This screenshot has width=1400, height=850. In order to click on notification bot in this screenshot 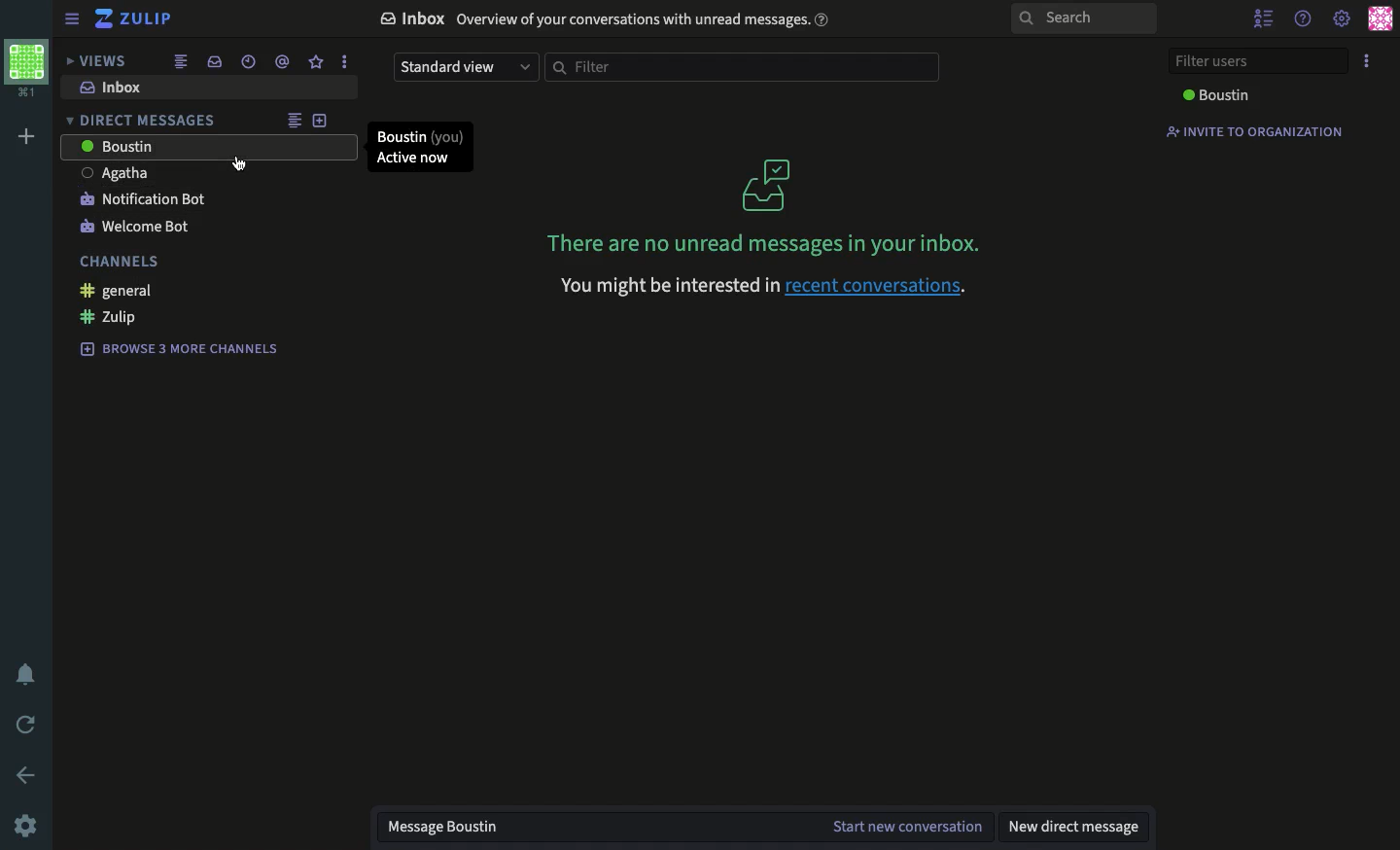, I will do `click(148, 200)`.